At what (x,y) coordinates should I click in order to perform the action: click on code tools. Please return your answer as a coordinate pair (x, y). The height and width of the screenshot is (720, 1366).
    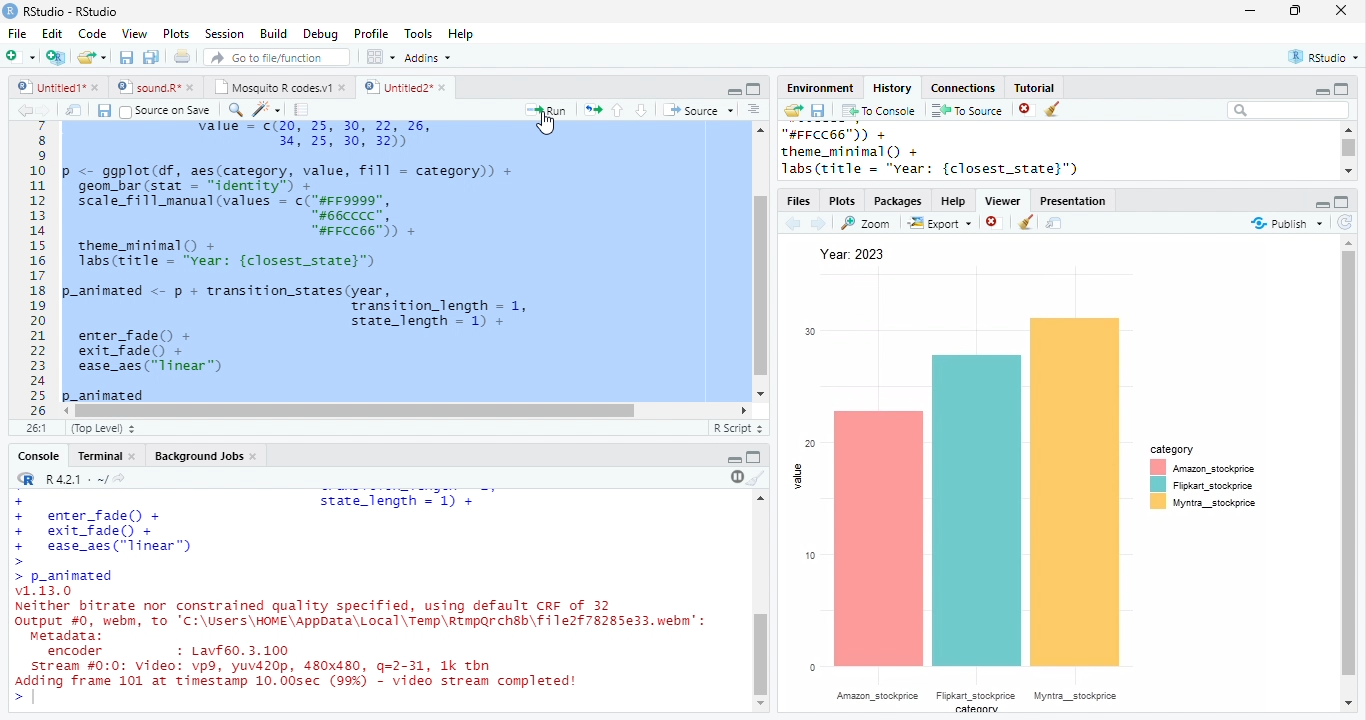
    Looking at the image, I should click on (266, 109).